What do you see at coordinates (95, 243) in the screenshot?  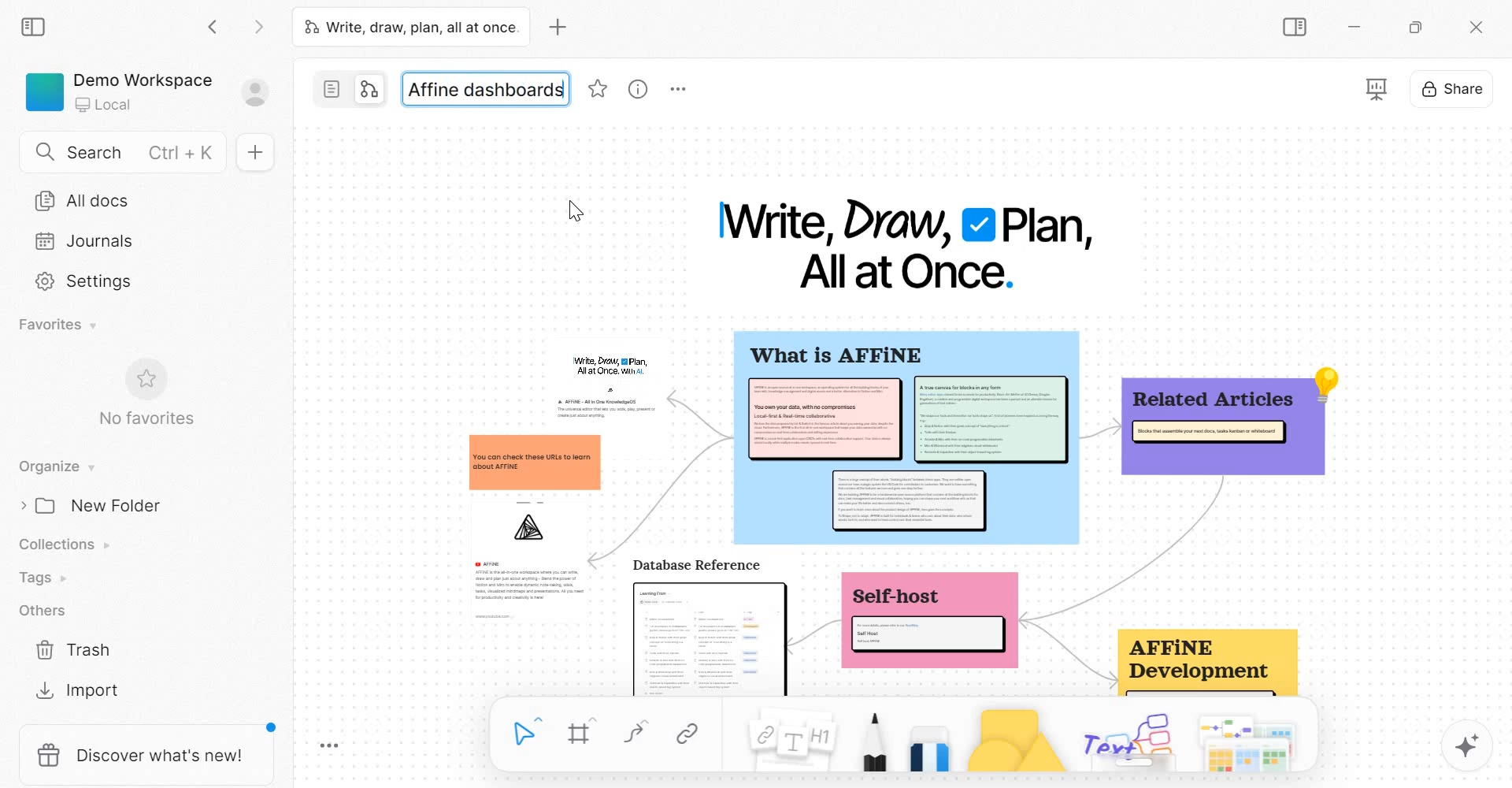 I see `Journals` at bounding box center [95, 243].